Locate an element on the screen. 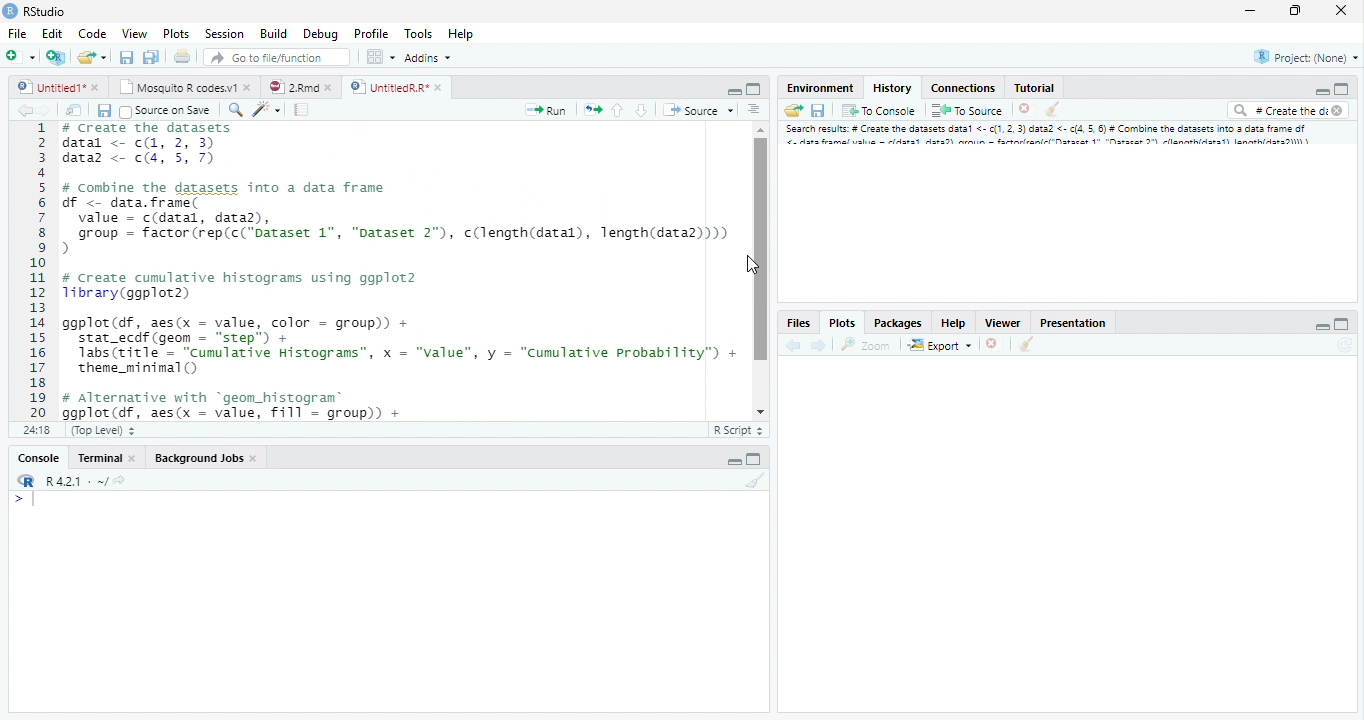  Debug is located at coordinates (348, 34).